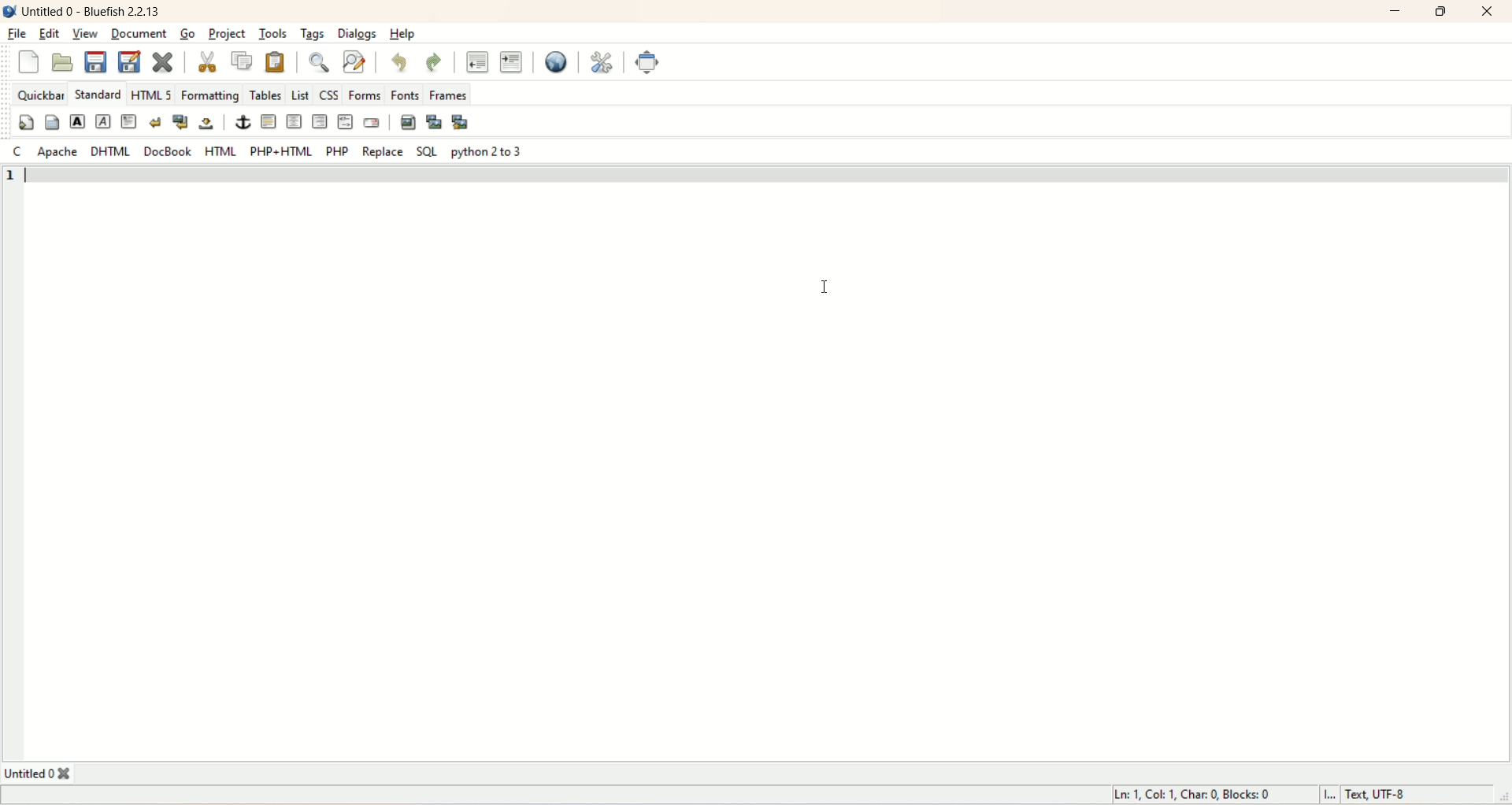  I want to click on projects, so click(229, 35).